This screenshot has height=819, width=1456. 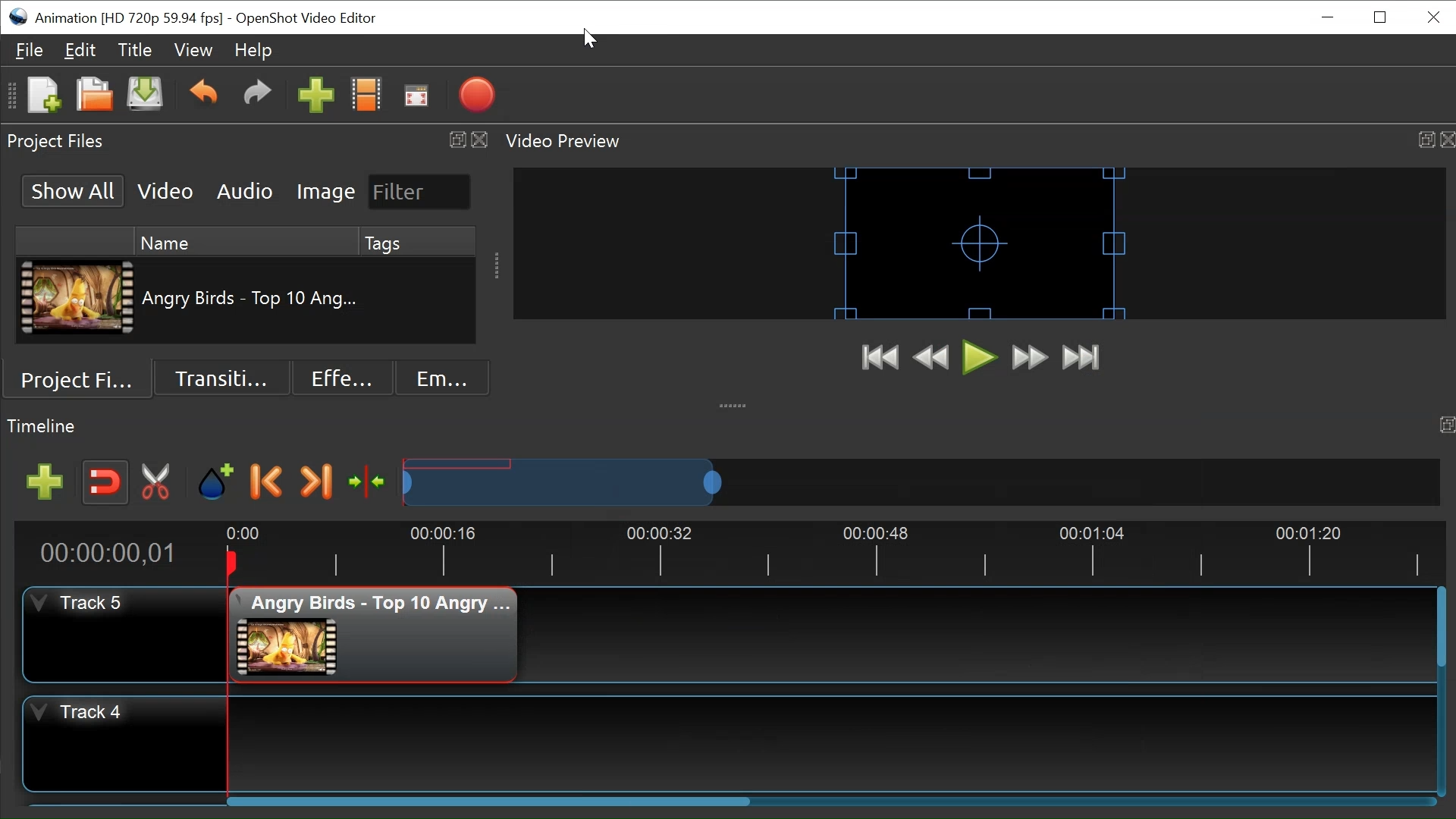 What do you see at coordinates (128, 18) in the screenshot?
I see `Project Name` at bounding box center [128, 18].